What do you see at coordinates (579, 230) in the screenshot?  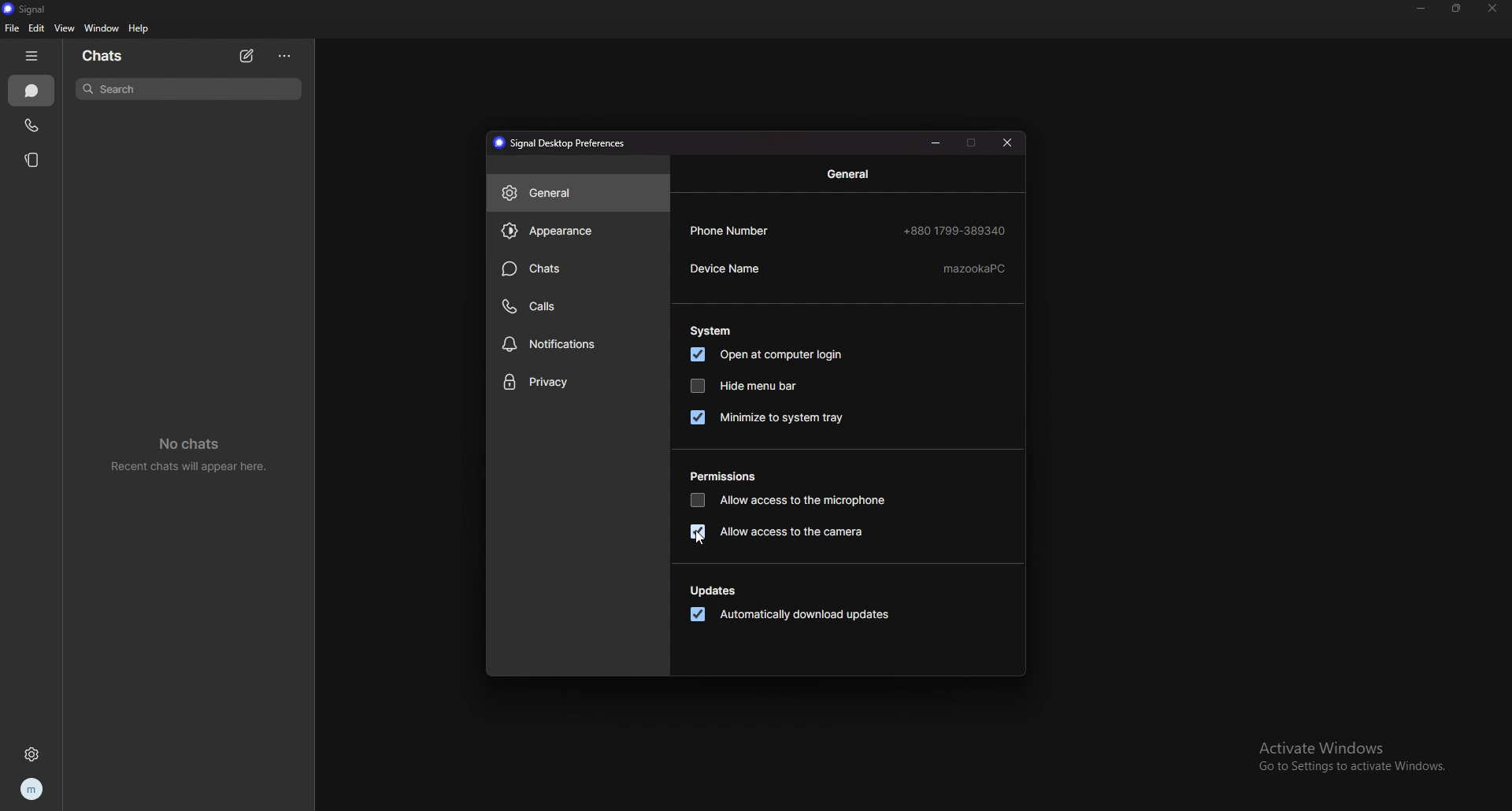 I see `appearance` at bounding box center [579, 230].